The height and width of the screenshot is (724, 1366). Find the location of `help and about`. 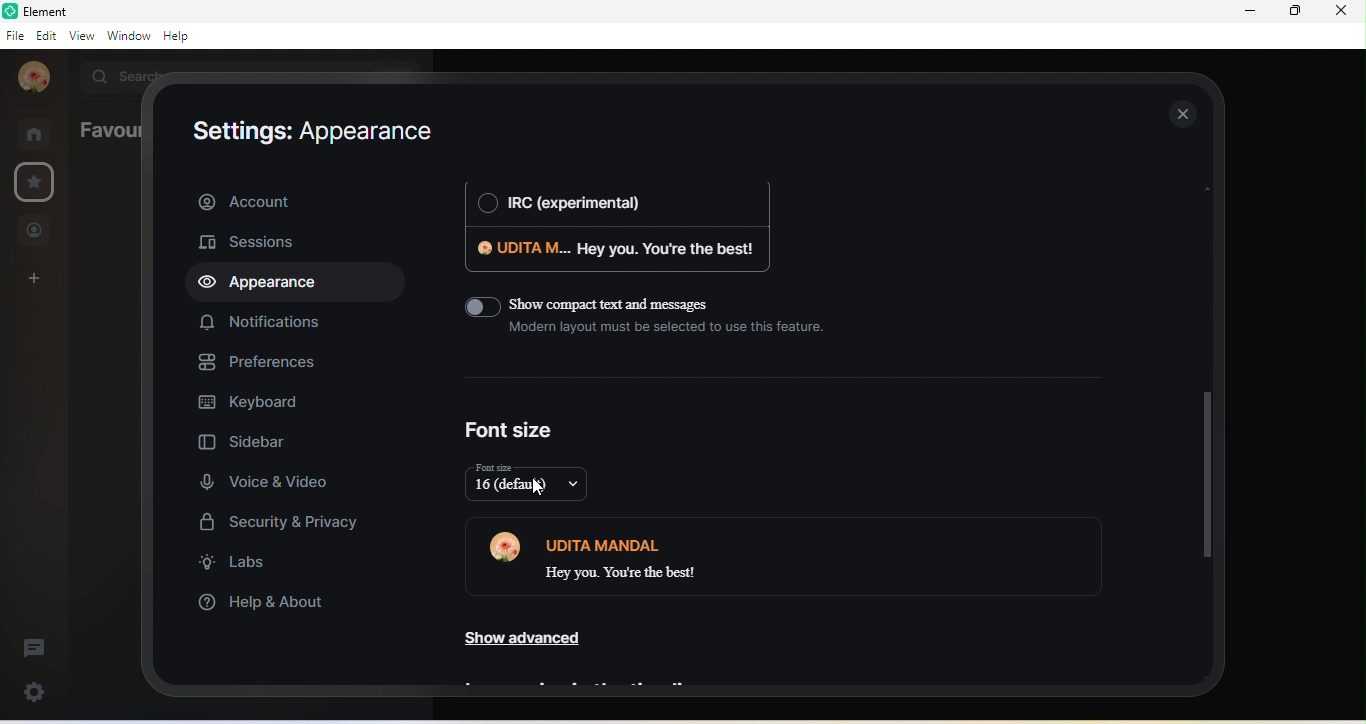

help and about is located at coordinates (261, 605).